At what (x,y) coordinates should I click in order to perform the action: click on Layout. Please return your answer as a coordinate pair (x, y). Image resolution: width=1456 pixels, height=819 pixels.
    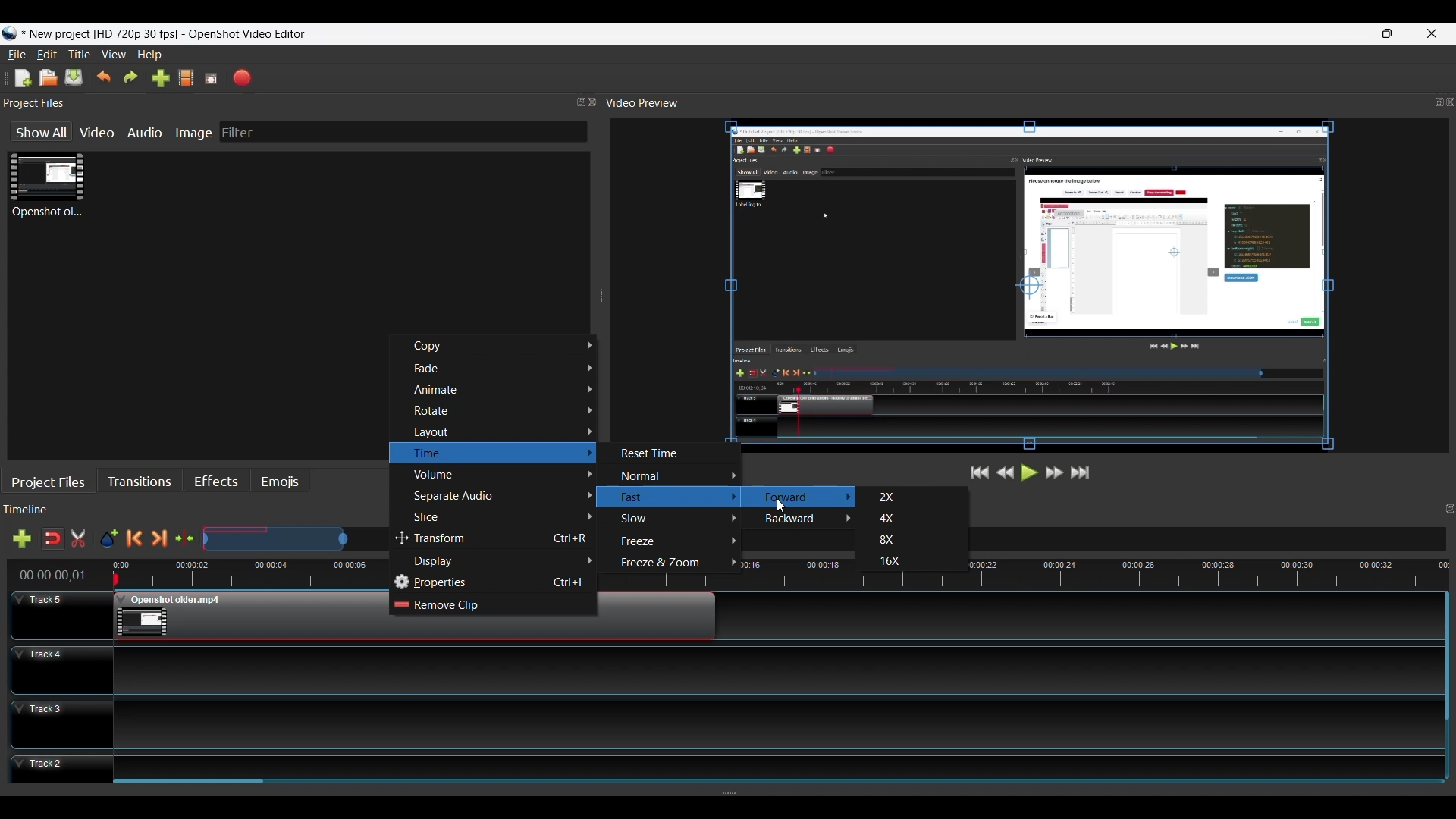
    Looking at the image, I should click on (501, 432).